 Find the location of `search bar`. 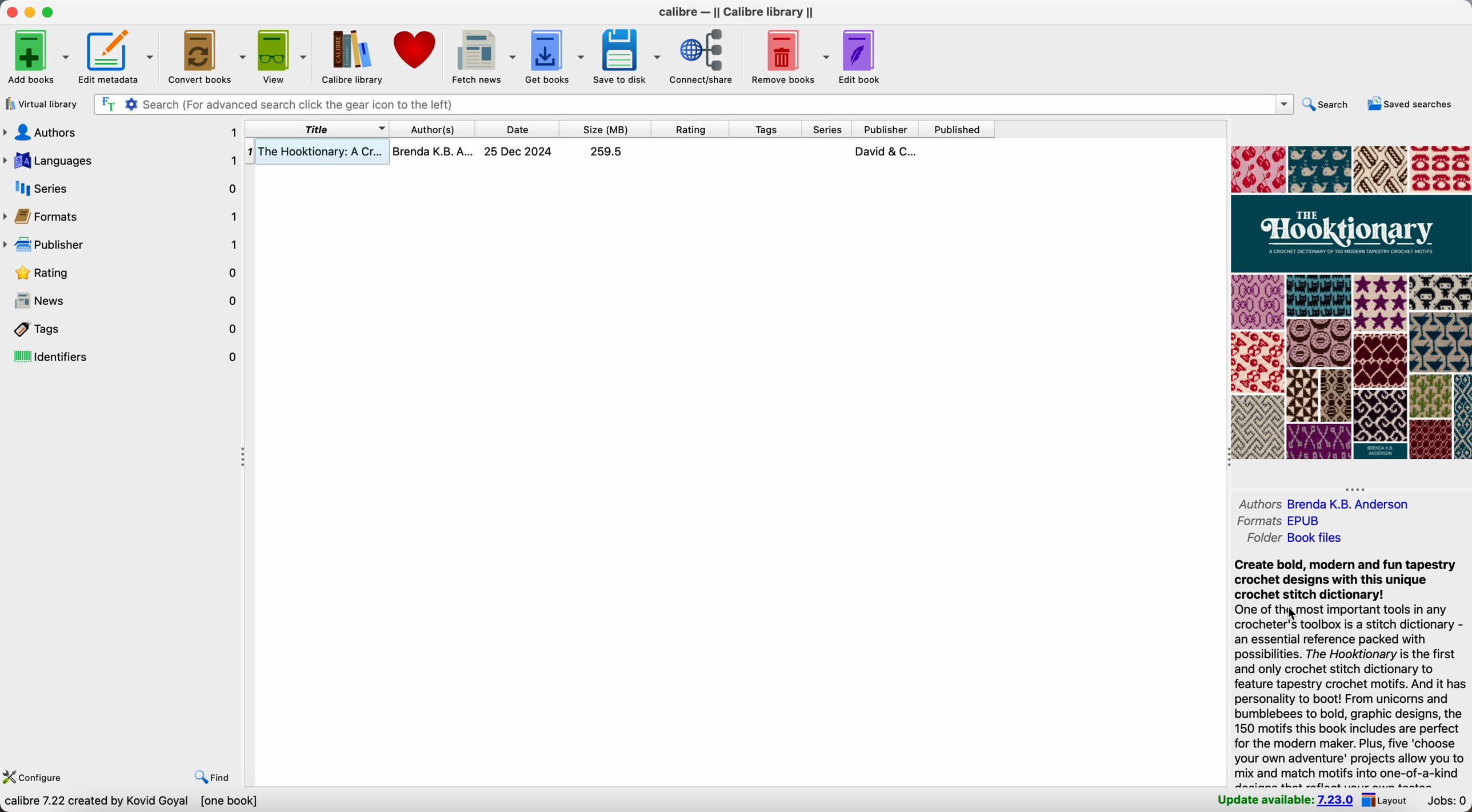

search bar is located at coordinates (692, 105).